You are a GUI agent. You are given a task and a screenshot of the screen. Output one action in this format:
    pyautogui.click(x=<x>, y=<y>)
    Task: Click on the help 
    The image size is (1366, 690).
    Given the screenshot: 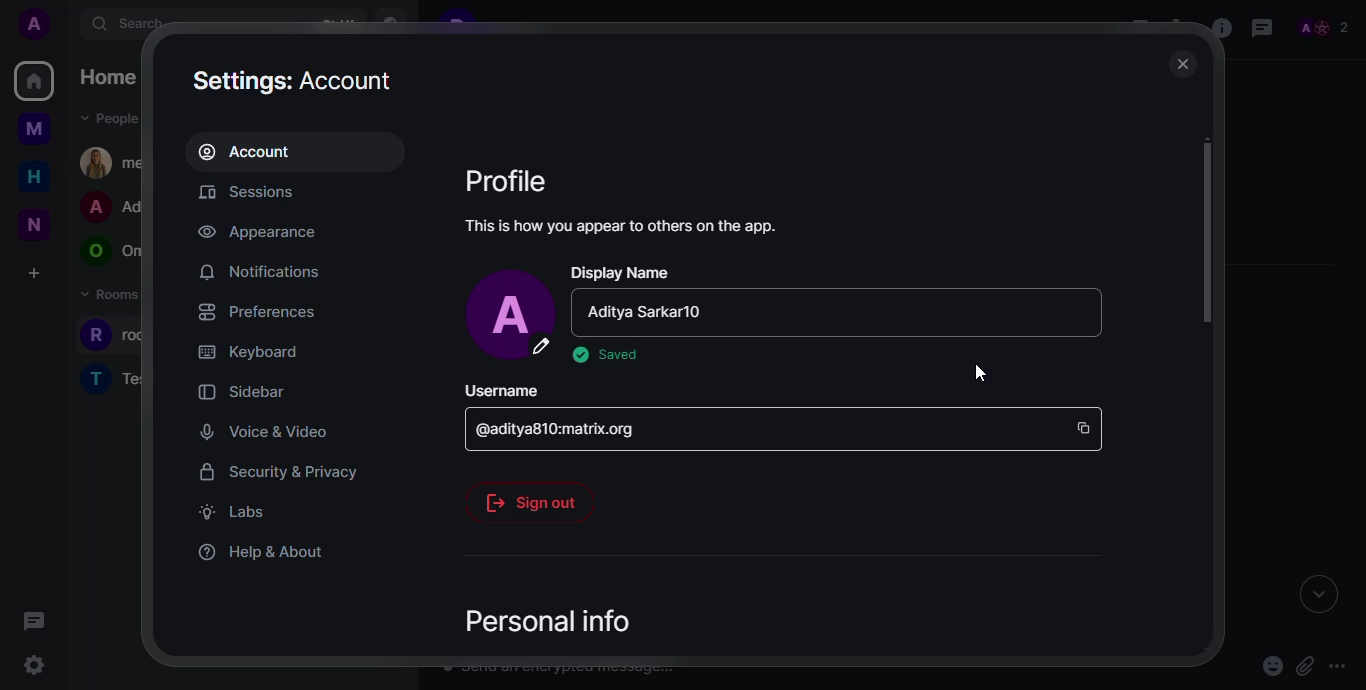 What is the action you would take?
    pyautogui.click(x=262, y=551)
    